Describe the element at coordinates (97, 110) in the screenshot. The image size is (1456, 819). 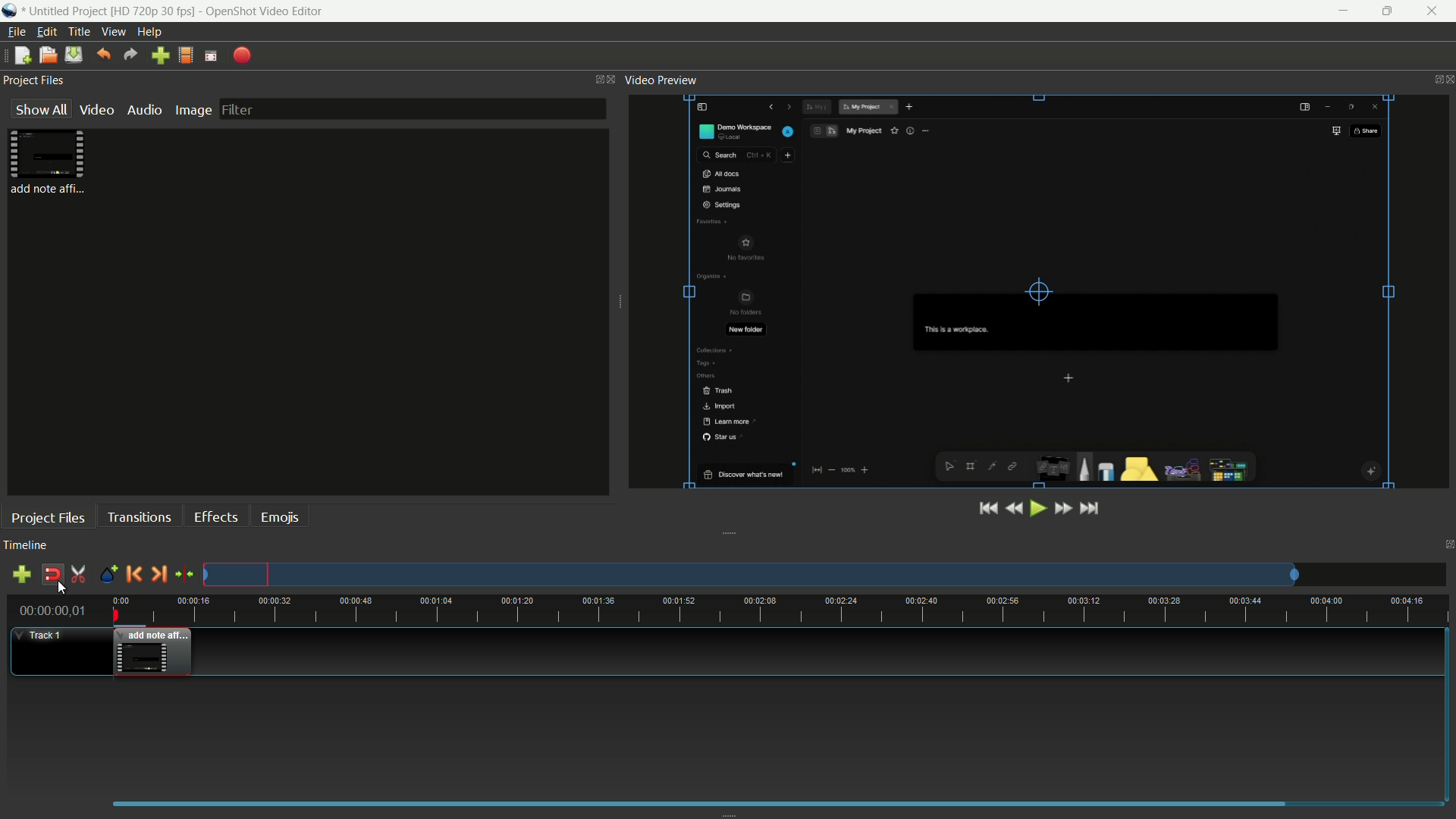
I see `video` at that location.